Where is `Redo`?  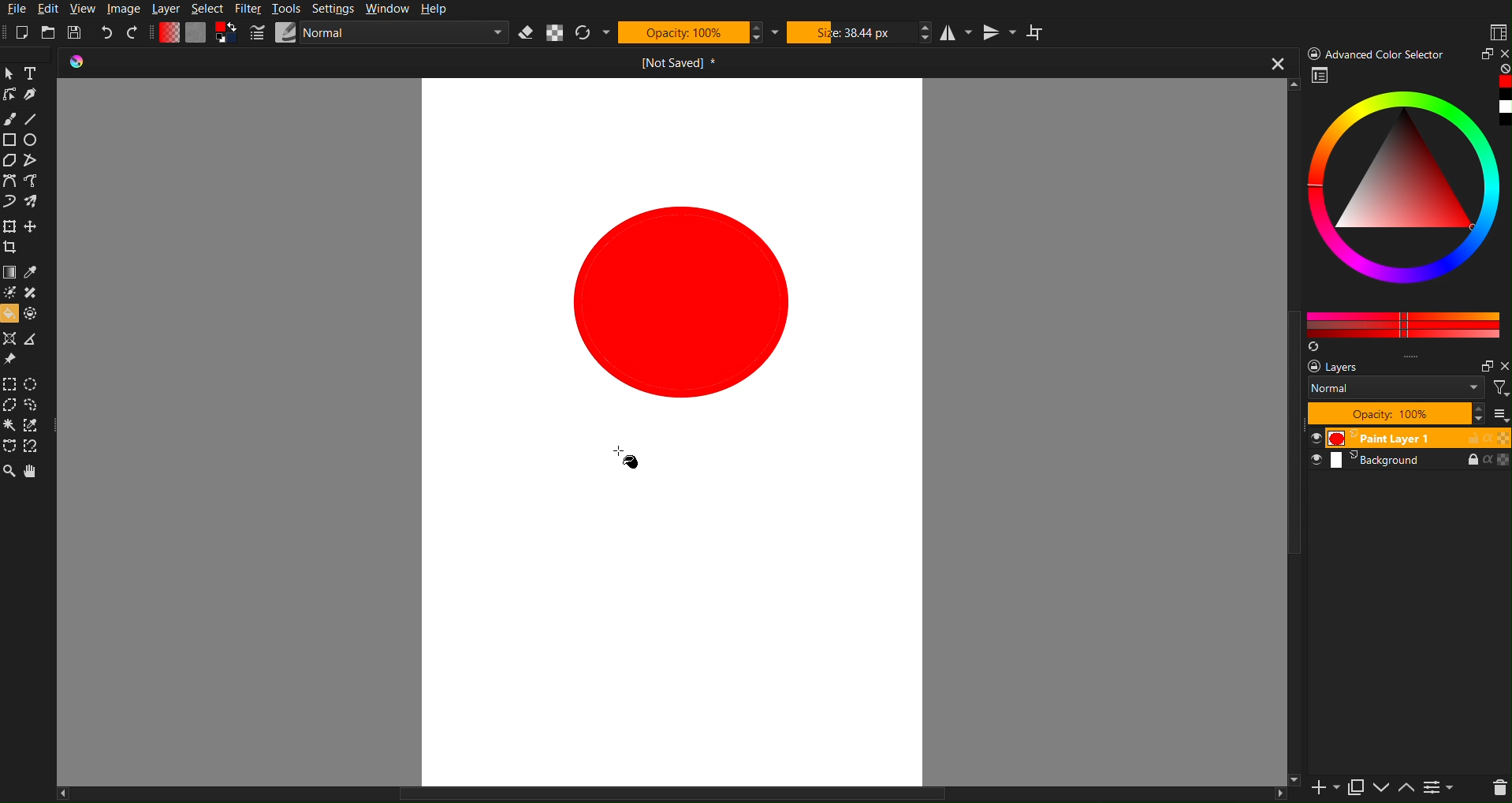
Redo is located at coordinates (140, 35).